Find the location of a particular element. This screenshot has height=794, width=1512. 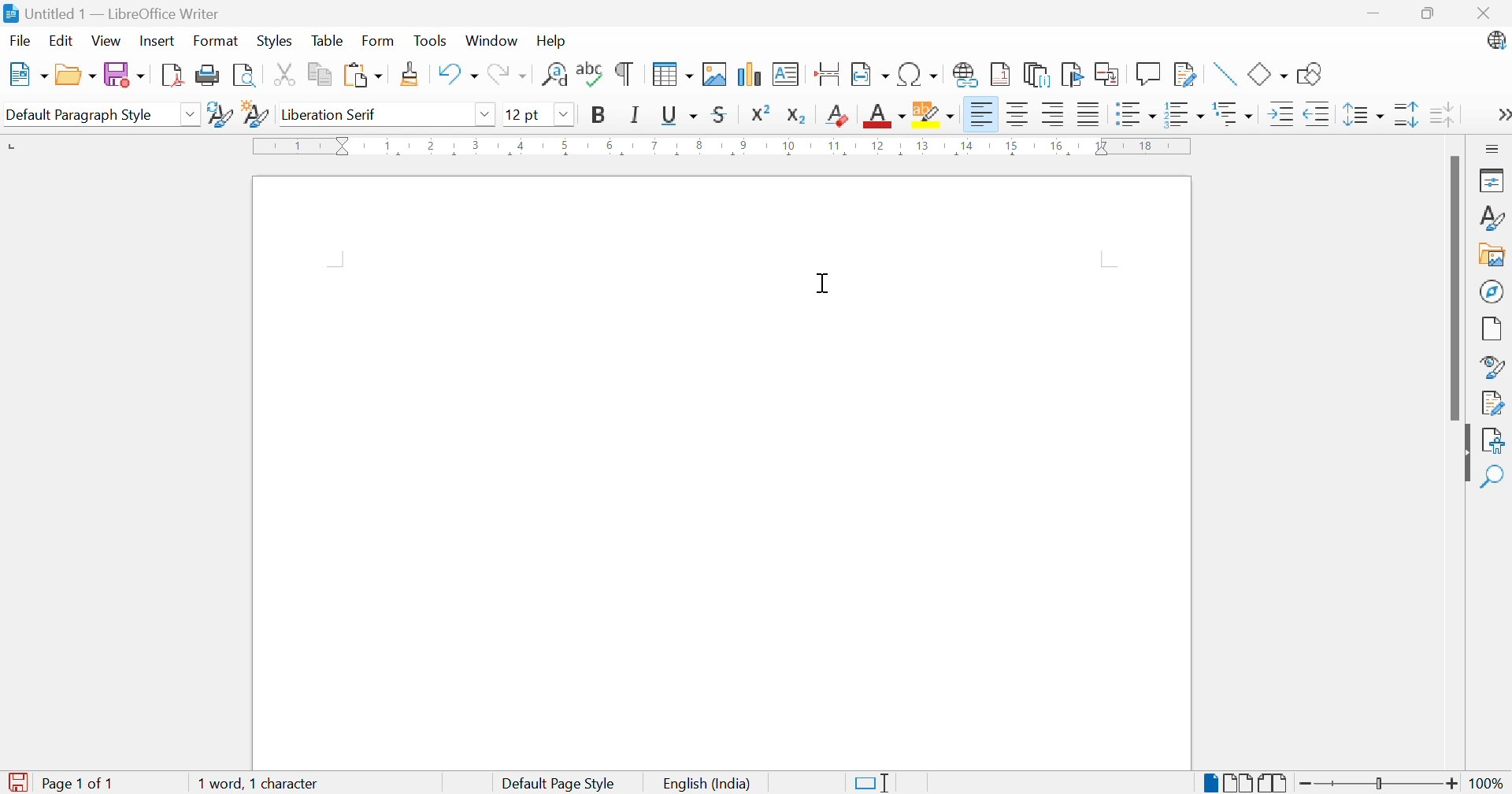

Toggle Unordered List is located at coordinates (1136, 114).